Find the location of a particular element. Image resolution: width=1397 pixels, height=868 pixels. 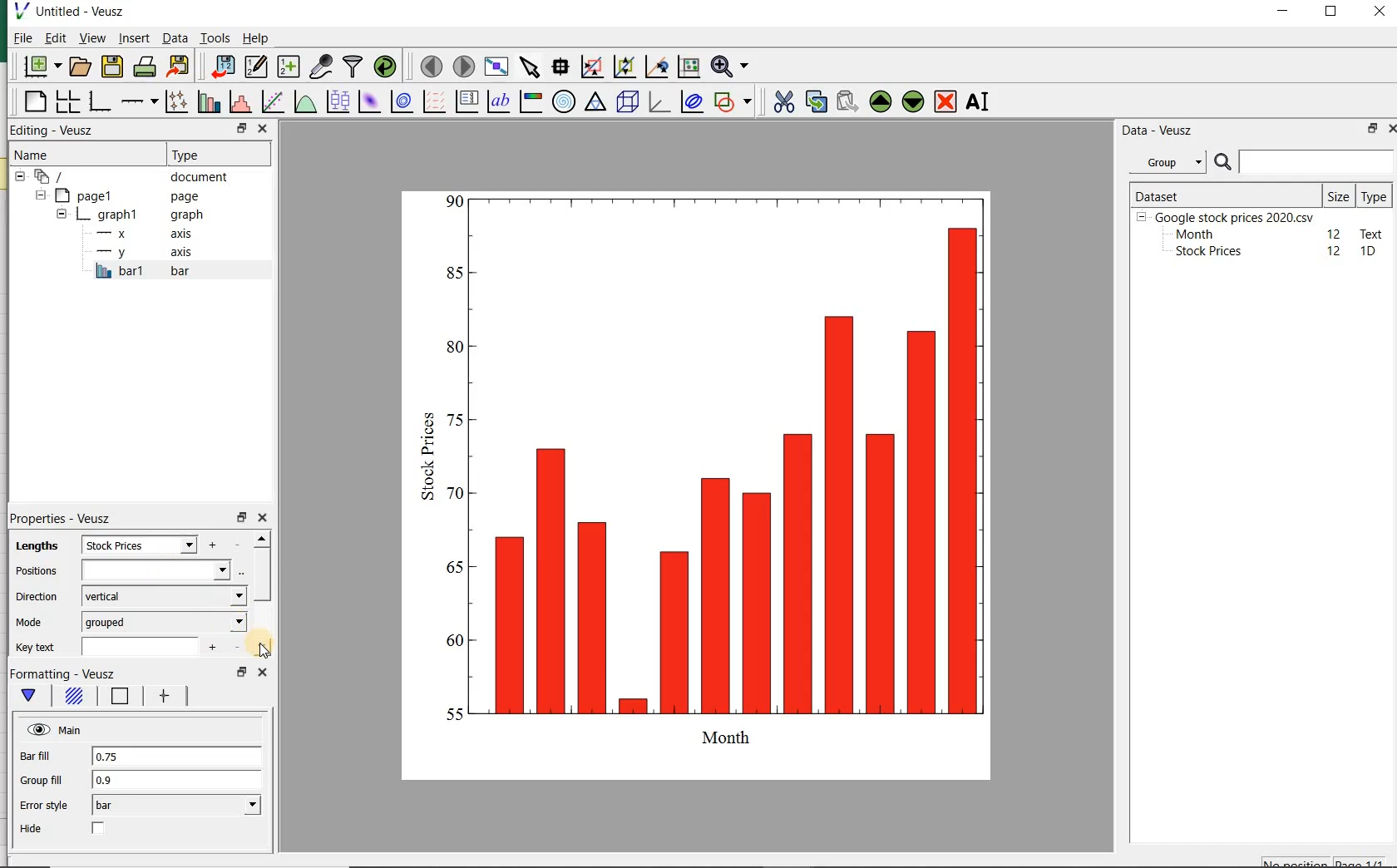

Hide is located at coordinates (31, 828).